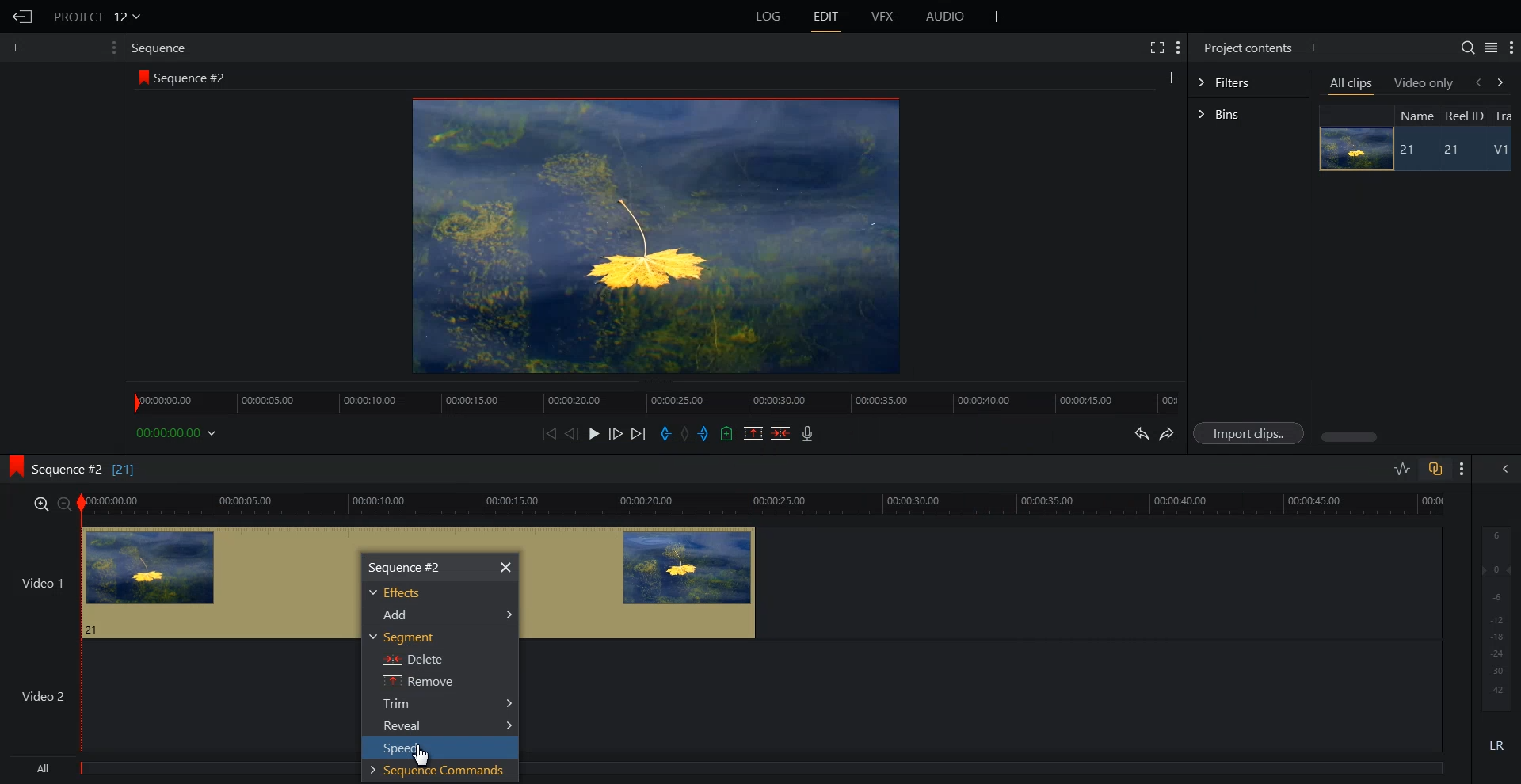 This screenshot has width=1521, height=784. What do you see at coordinates (406, 566) in the screenshot?
I see `Sequence #2` at bounding box center [406, 566].